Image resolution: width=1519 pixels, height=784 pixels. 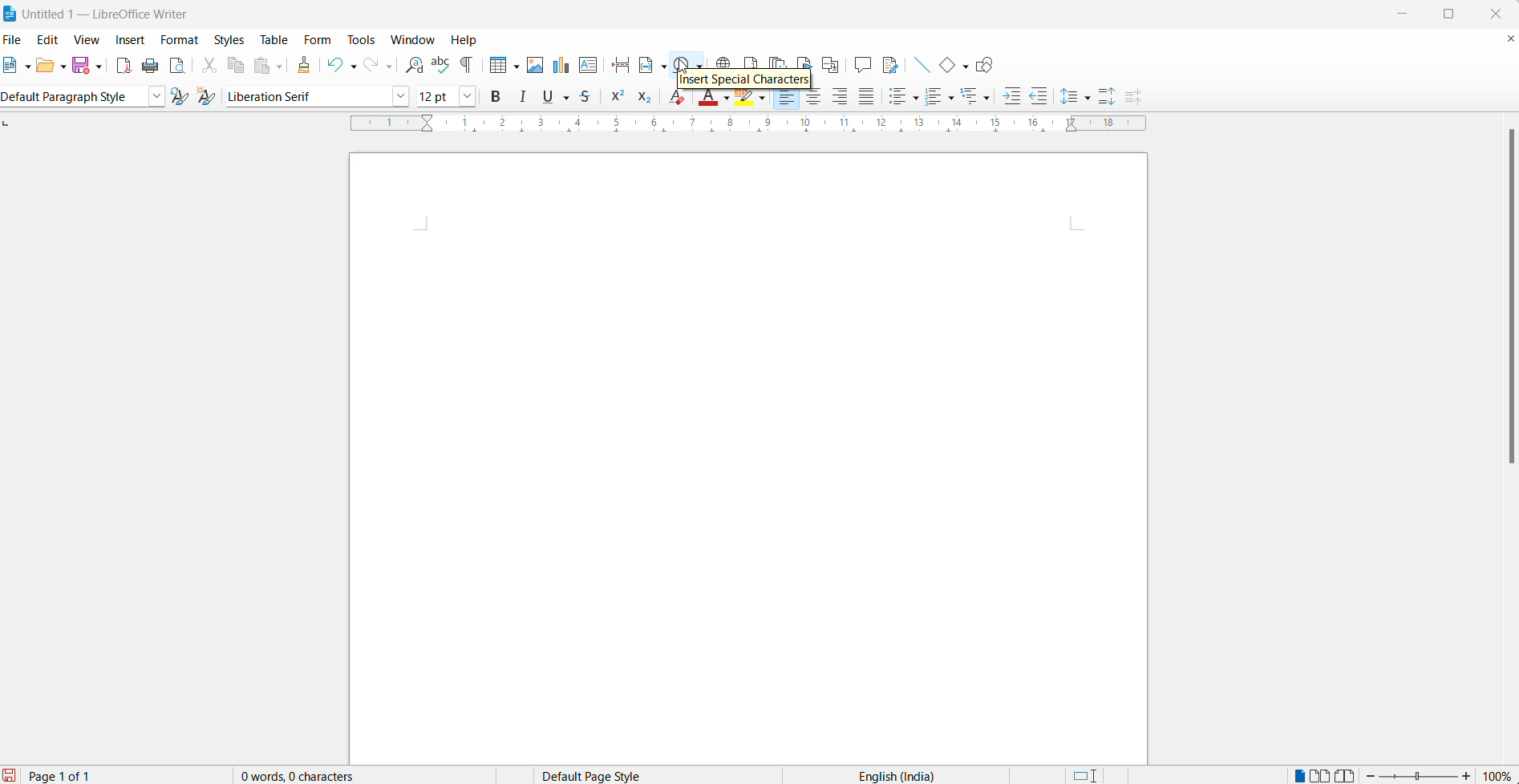 I want to click on italic, so click(x=526, y=97).